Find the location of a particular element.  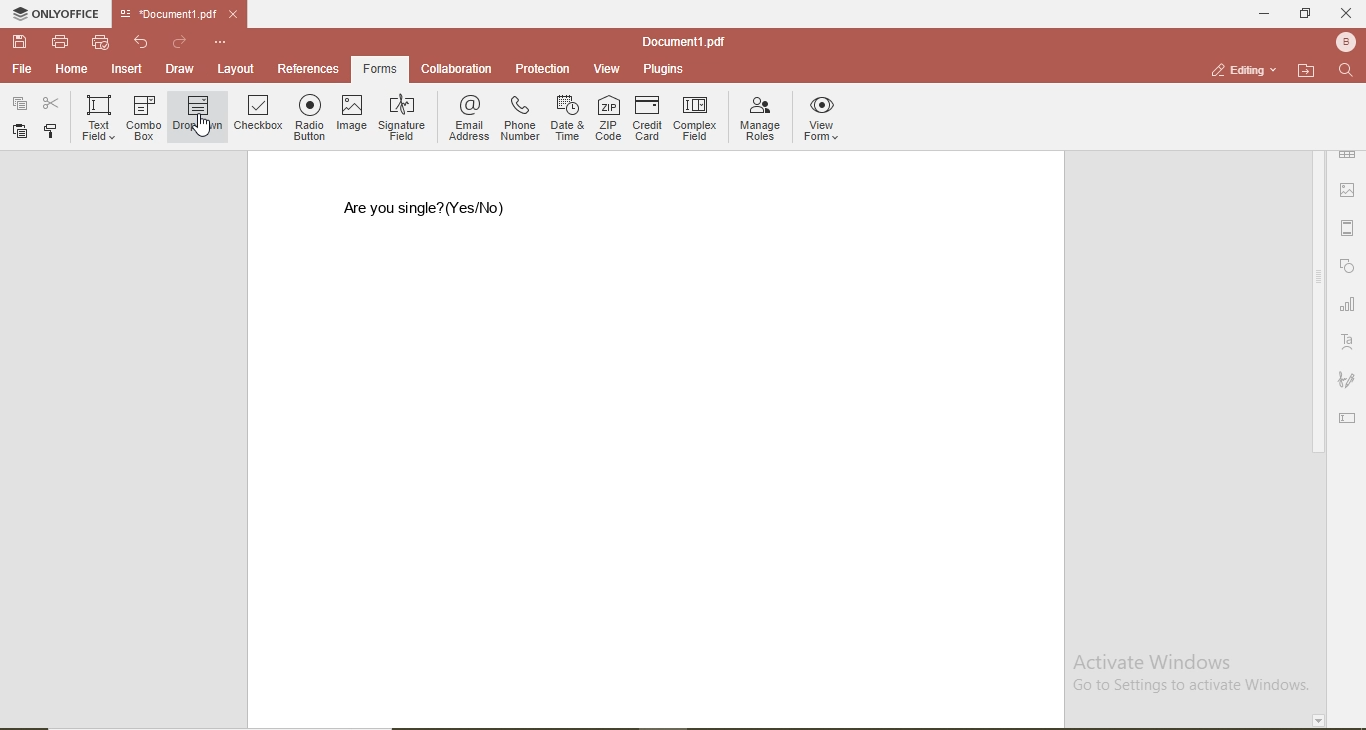

profile is located at coordinates (1347, 43).